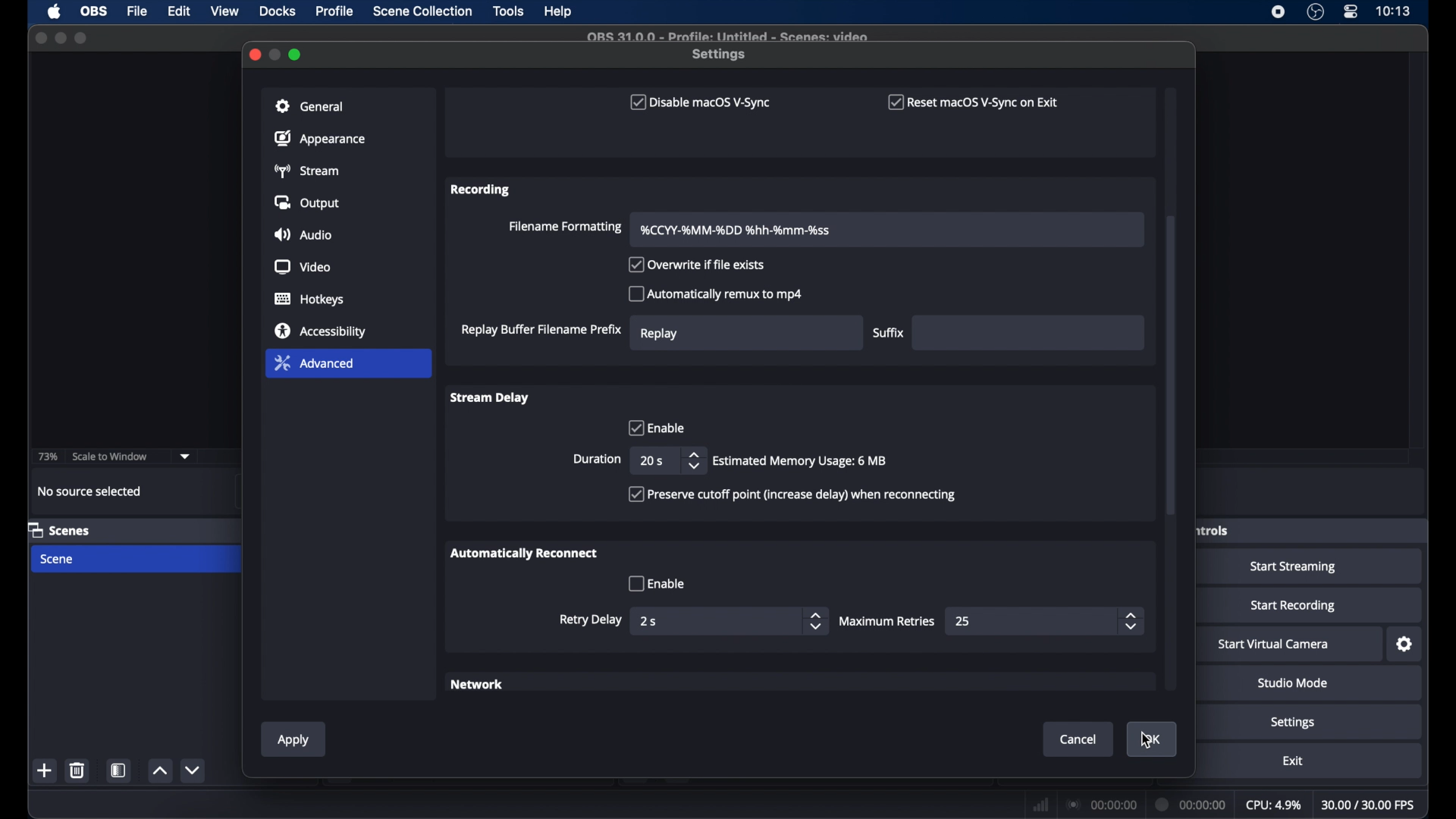  What do you see at coordinates (597, 460) in the screenshot?
I see `duration` at bounding box center [597, 460].